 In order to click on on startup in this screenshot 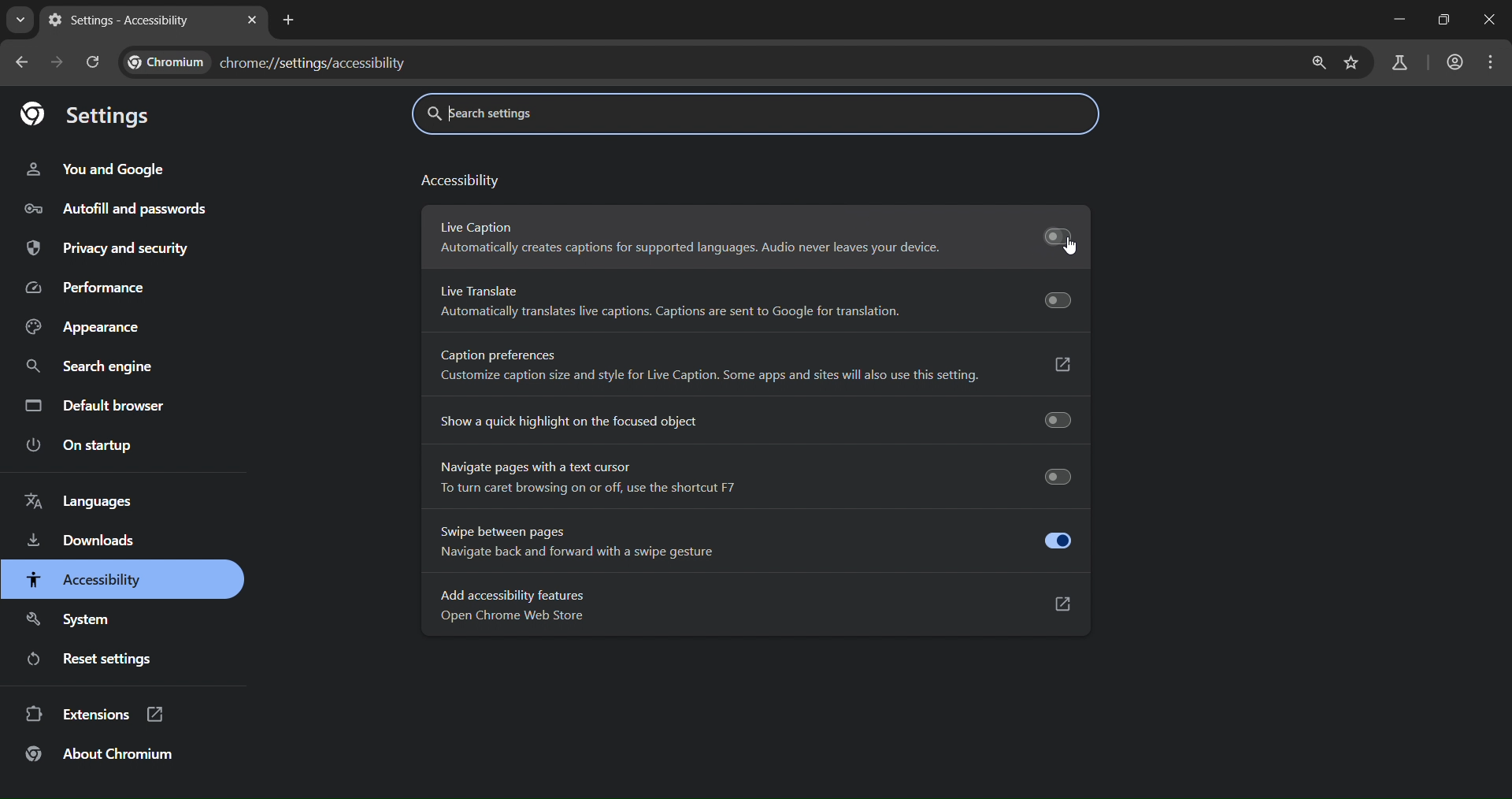, I will do `click(78, 446)`.